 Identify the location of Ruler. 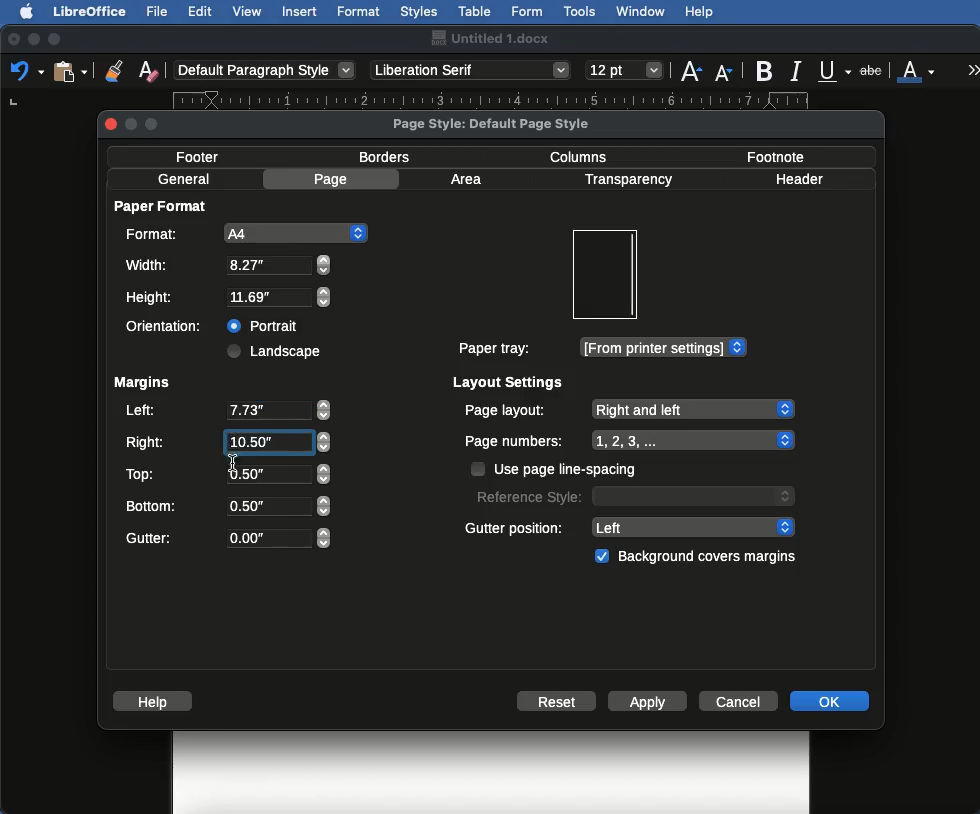
(508, 103).